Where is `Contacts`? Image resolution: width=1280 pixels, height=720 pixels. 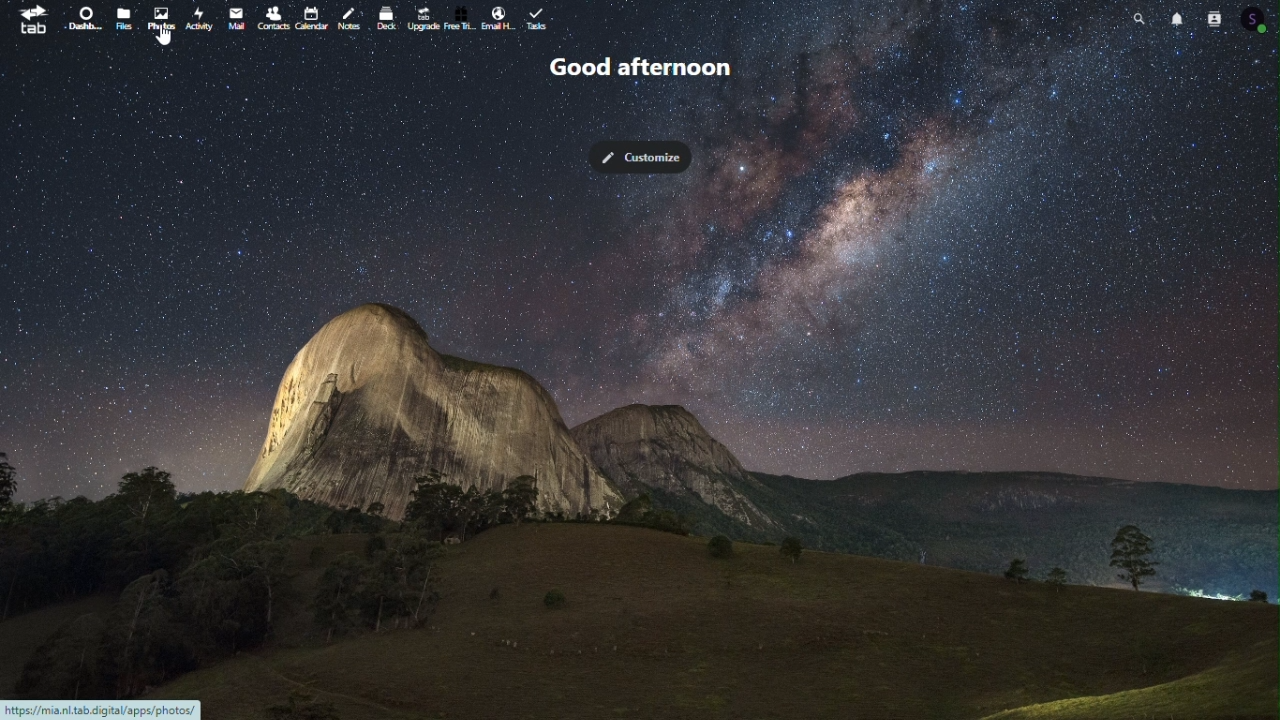
Contacts is located at coordinates (1211, 19).